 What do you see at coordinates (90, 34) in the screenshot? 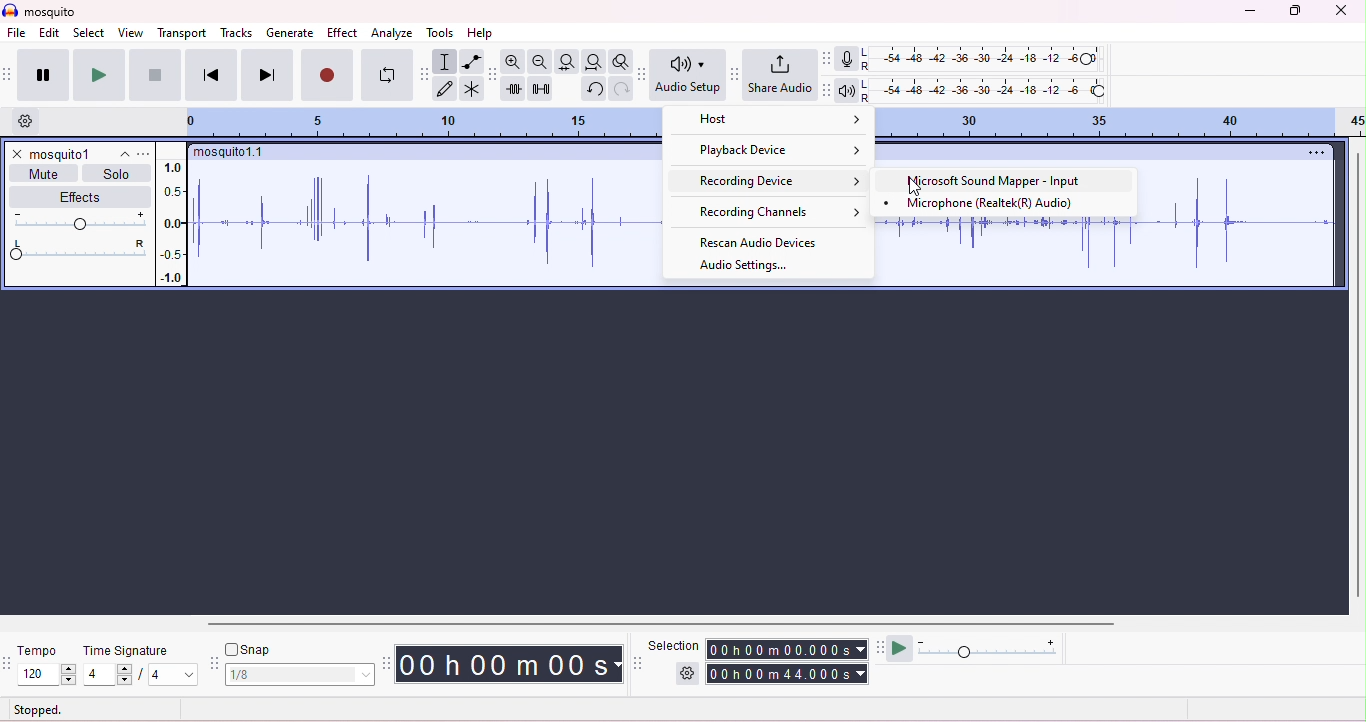
I see `select` at bounding box center [90, 34].